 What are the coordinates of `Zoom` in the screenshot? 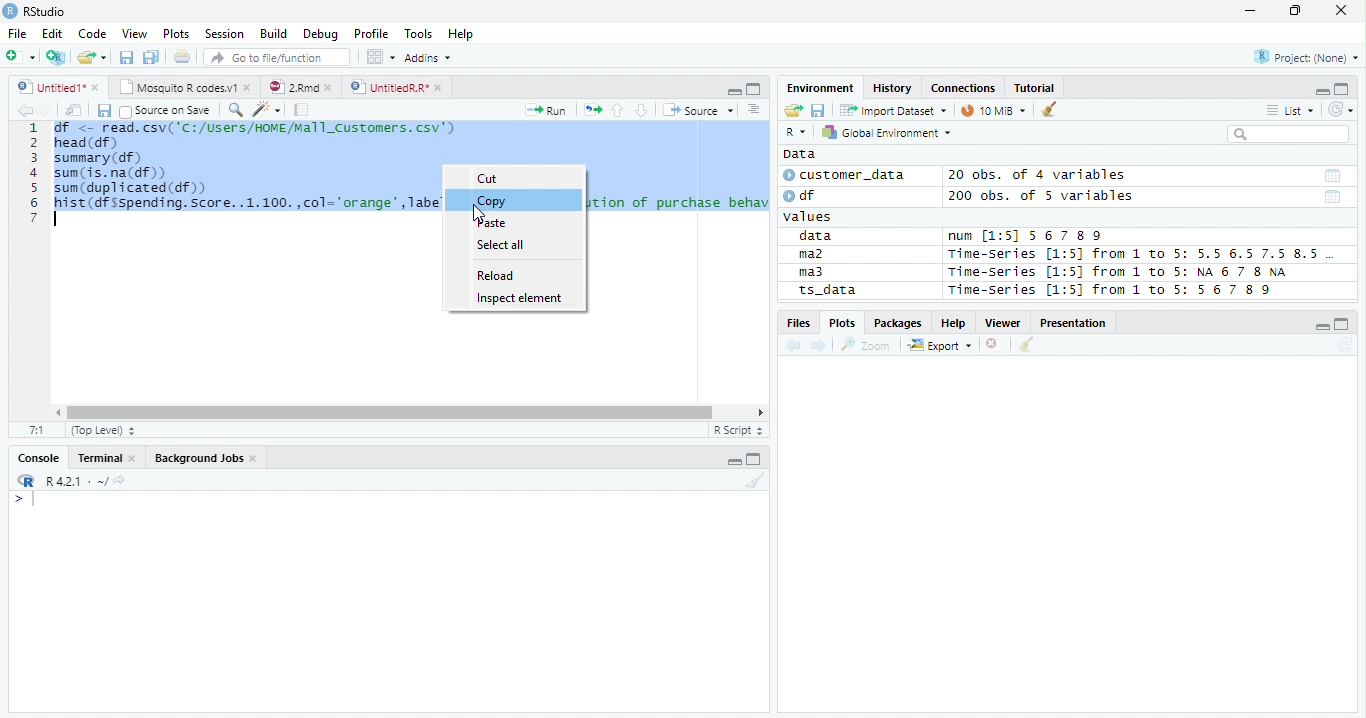 It's located at (866, 345).